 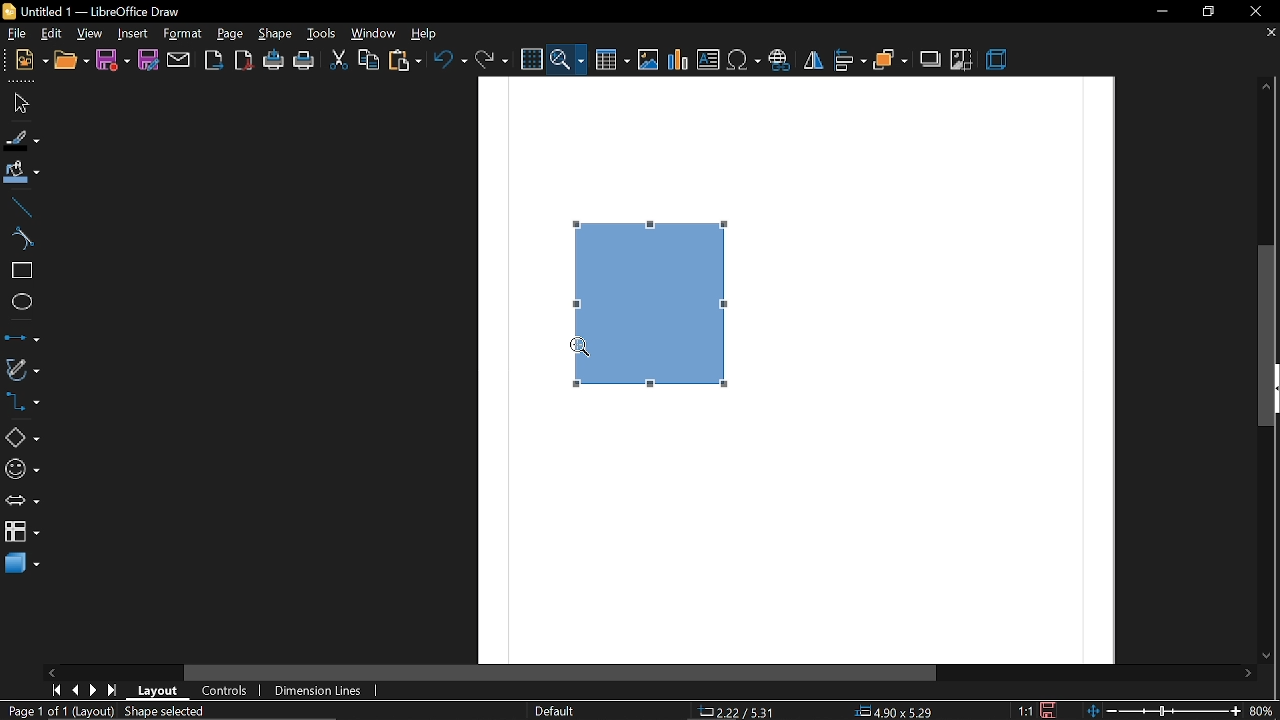 What do you see at coordinates (22, 565) in the screenshot?
I see `3d shapes` at bounding box center [22, 565].